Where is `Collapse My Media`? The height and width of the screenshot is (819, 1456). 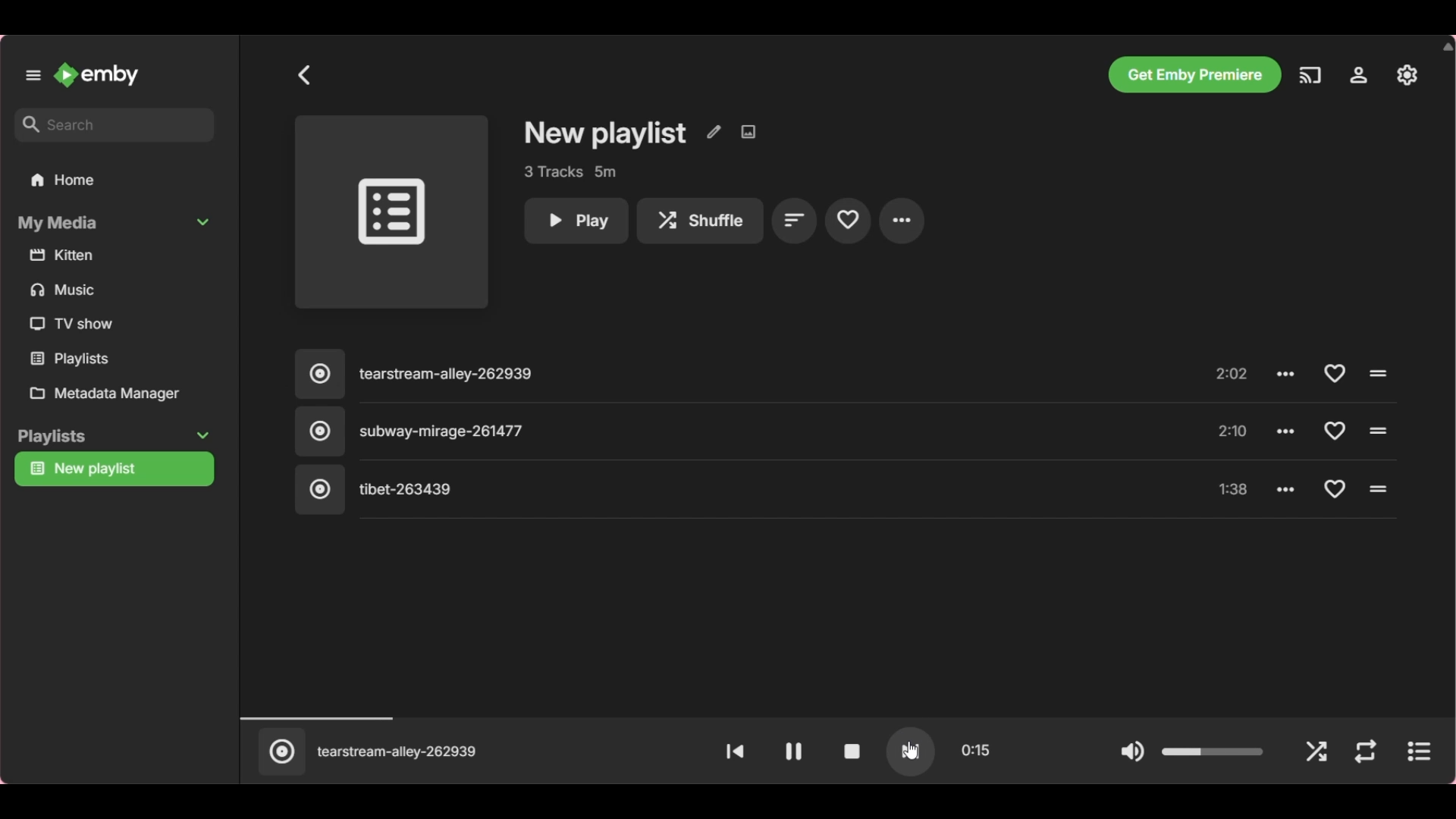 Collapse My Media is located at coordinates (115, 222).